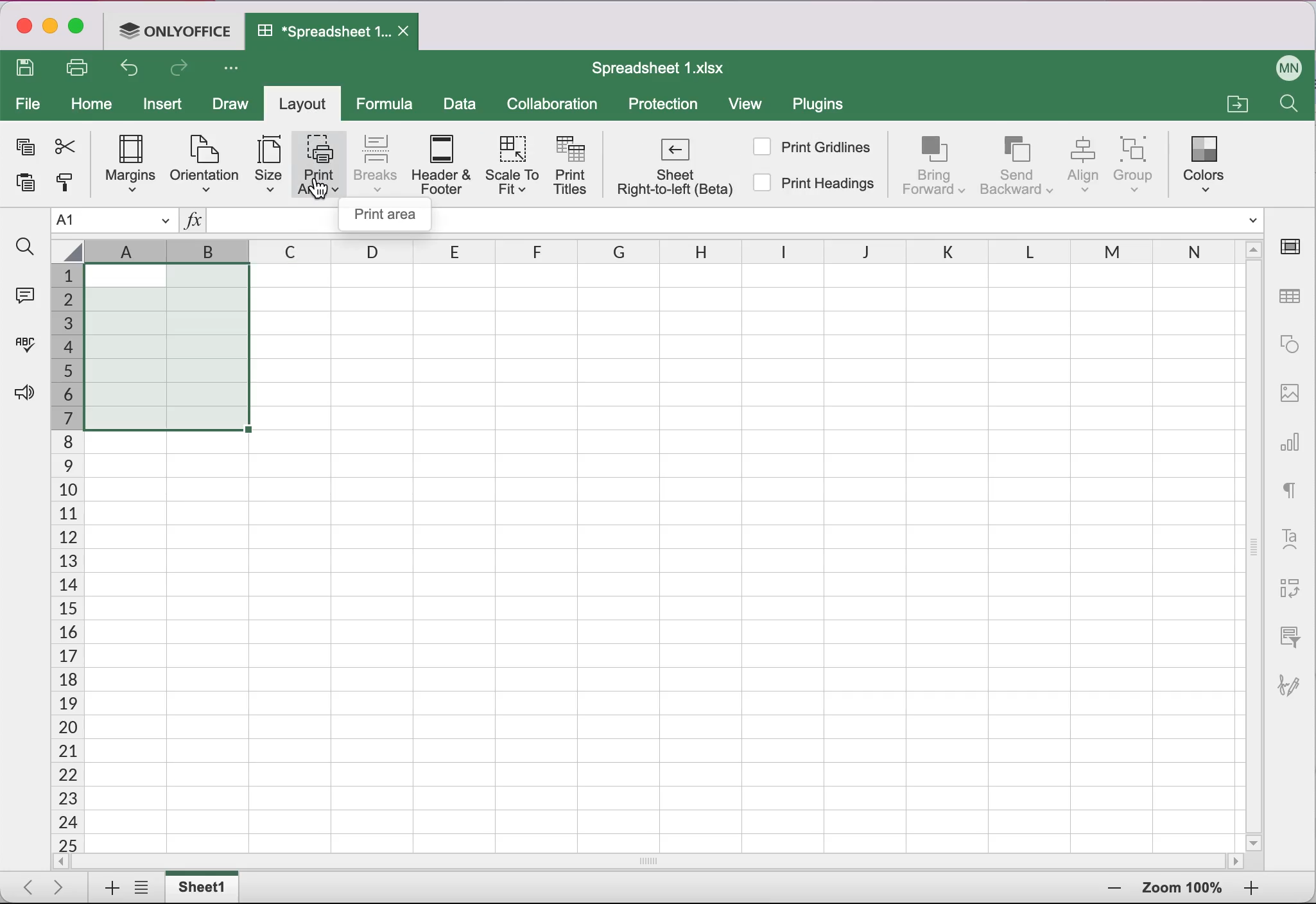  What do you see at coordinates (1292, 437) in the screenshot?
I see `chart` at bounding box center [1292, 437].